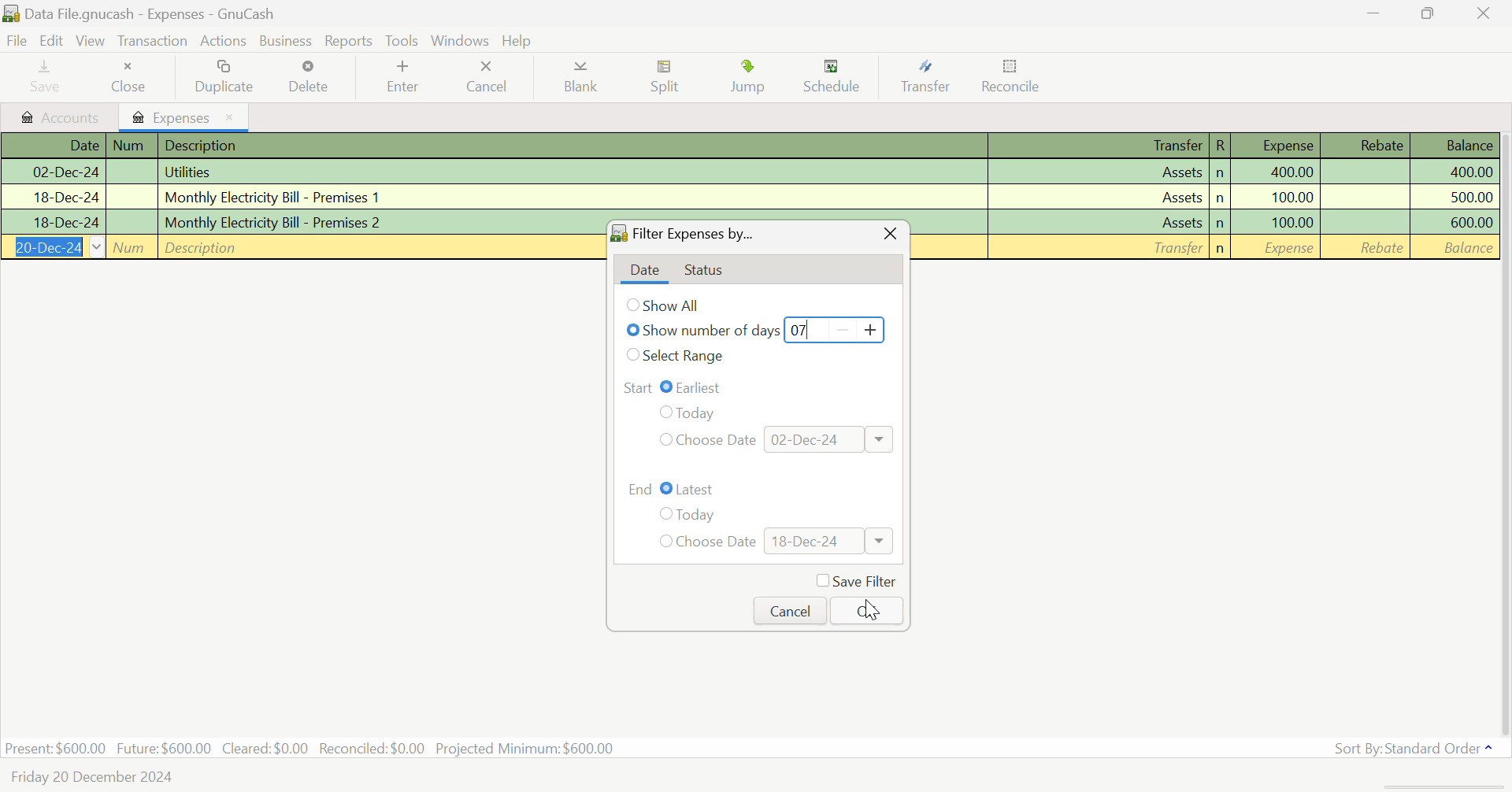 The image size is (1512, 792). I want to click on Reconciled, so click(372, 749).